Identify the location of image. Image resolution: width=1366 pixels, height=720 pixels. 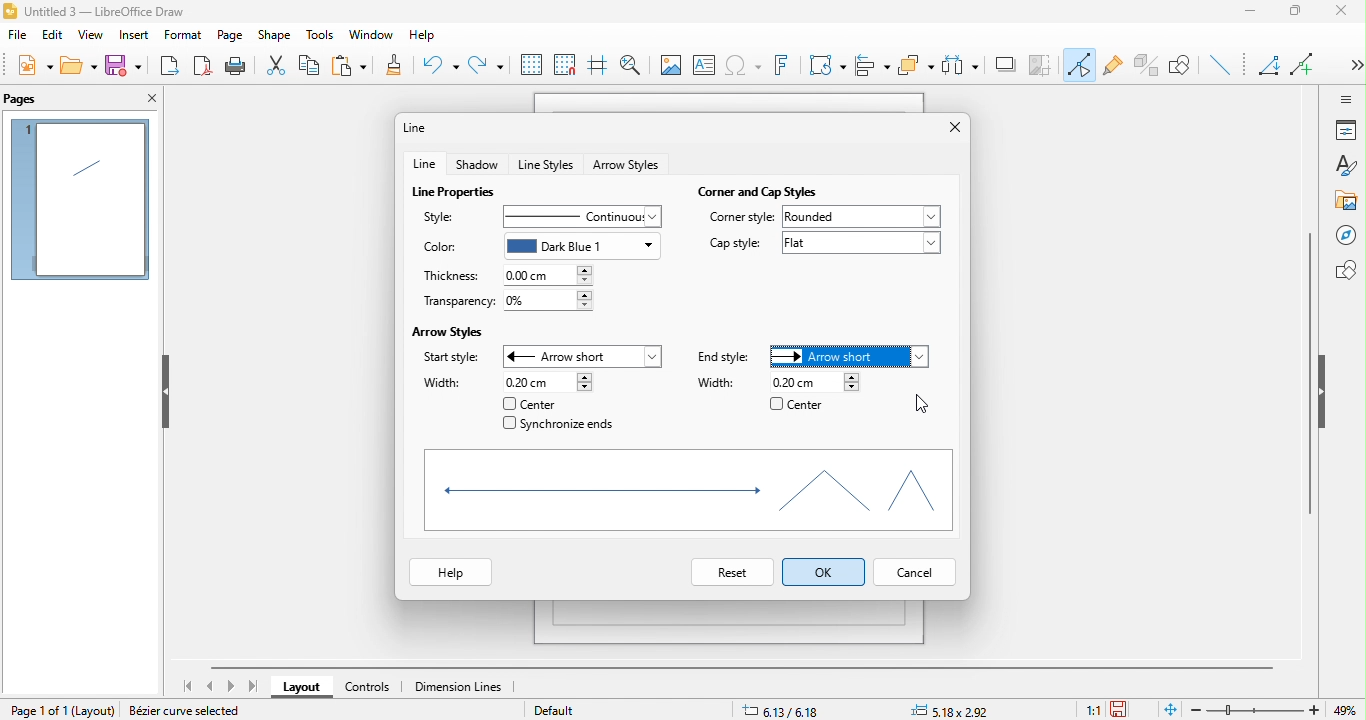
(668, 64).